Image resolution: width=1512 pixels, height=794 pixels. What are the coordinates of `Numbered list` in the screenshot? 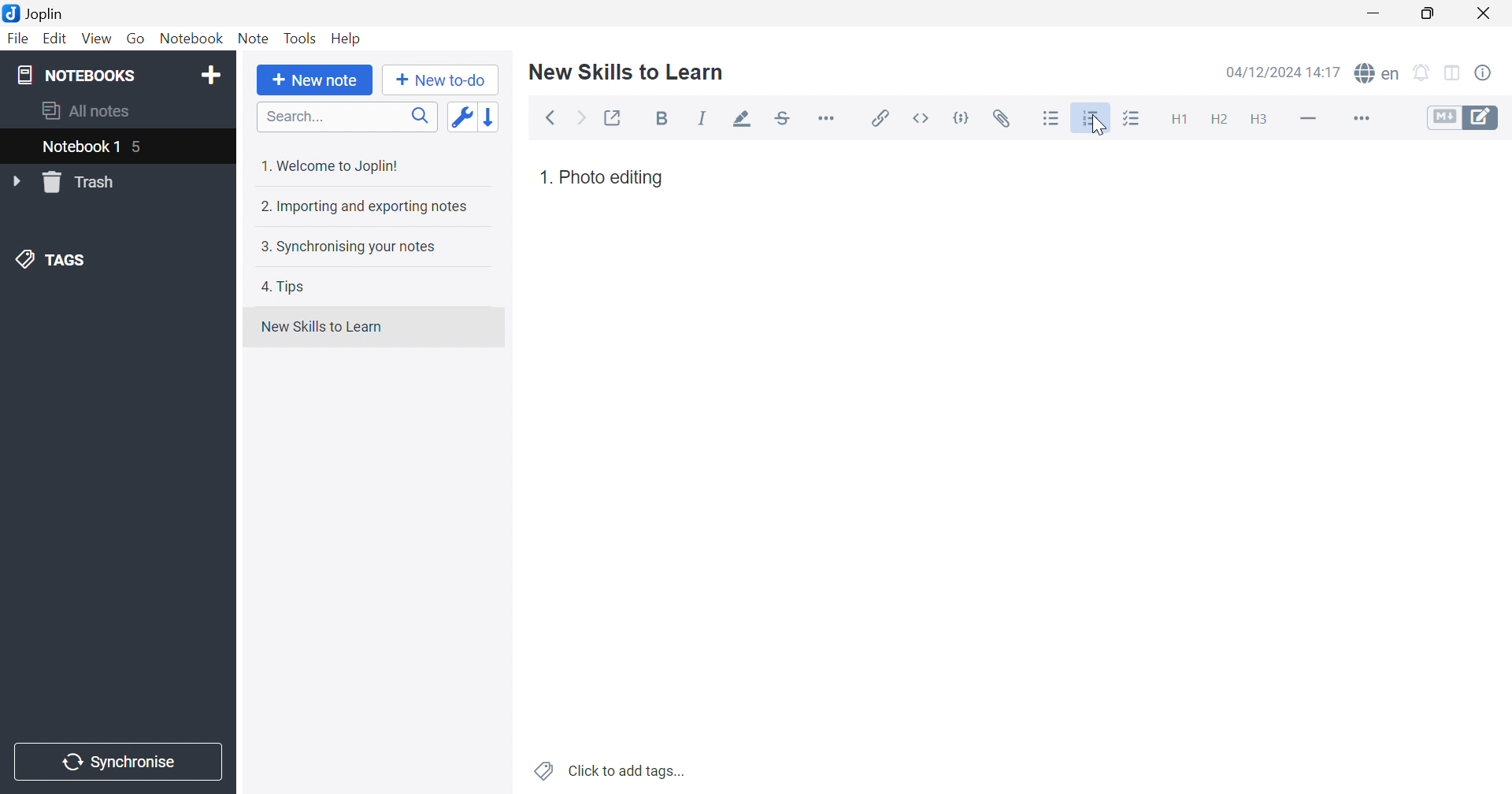 It's located at (1092, 118).